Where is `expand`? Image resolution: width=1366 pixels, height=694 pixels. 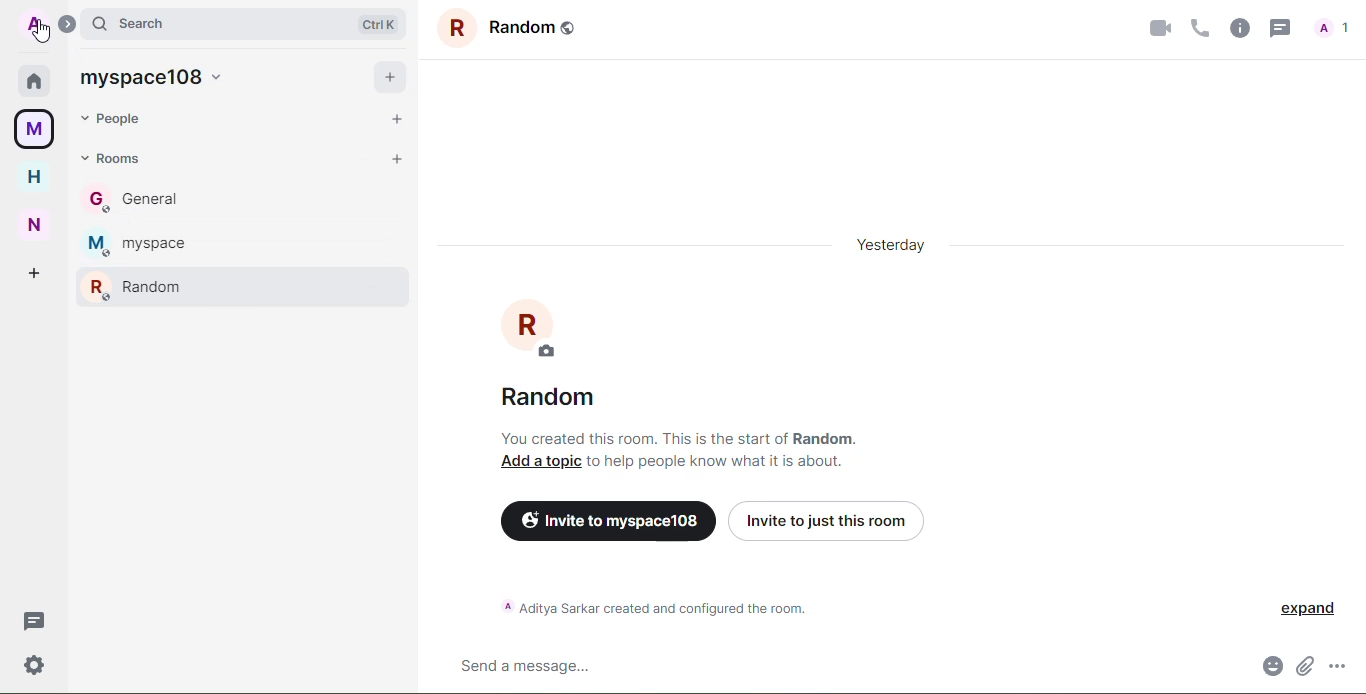 expand is located at coordinates (1306, 609).